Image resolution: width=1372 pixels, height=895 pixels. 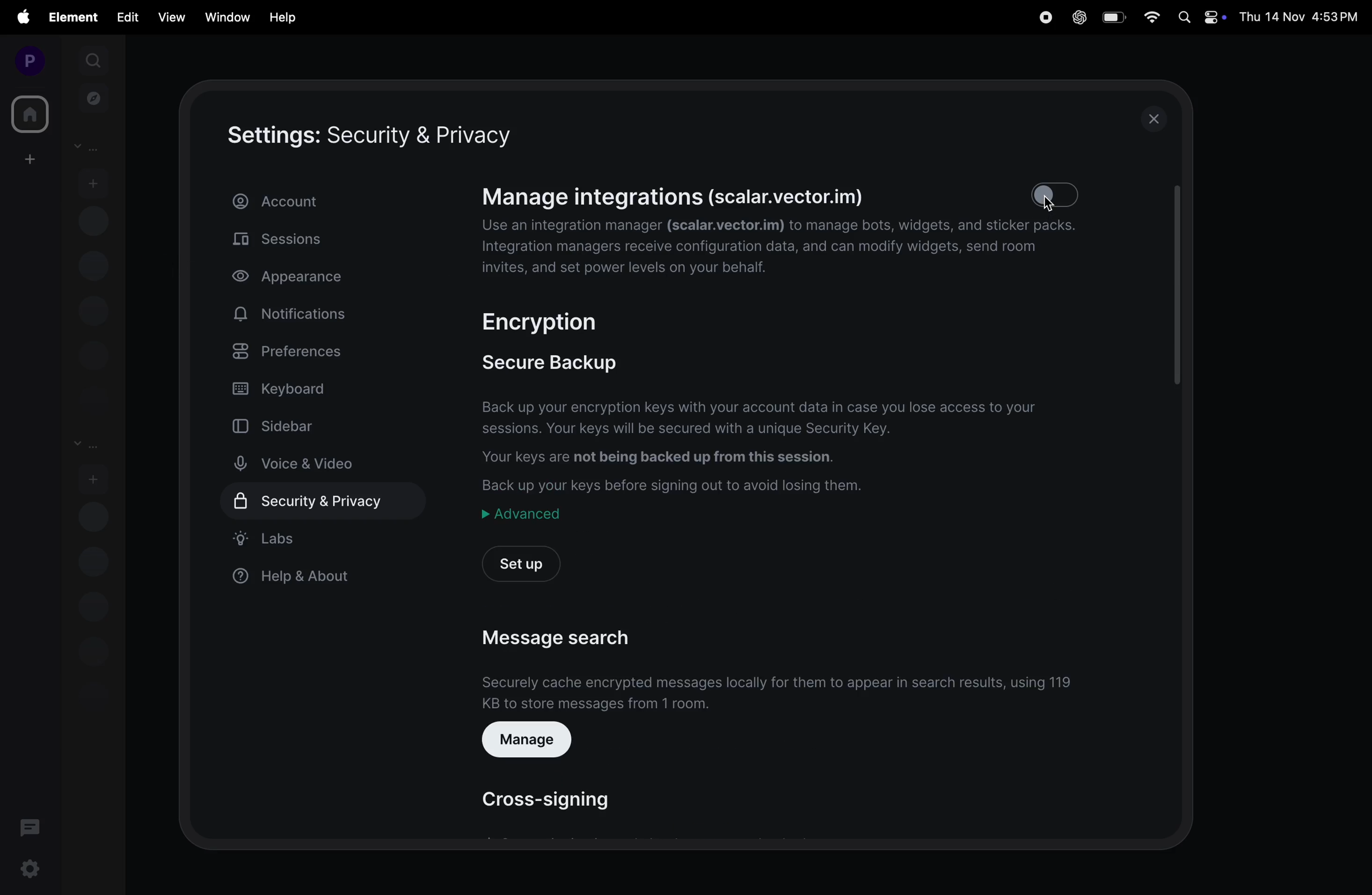 I want to click on apple menu, so click(x=20, y=17).